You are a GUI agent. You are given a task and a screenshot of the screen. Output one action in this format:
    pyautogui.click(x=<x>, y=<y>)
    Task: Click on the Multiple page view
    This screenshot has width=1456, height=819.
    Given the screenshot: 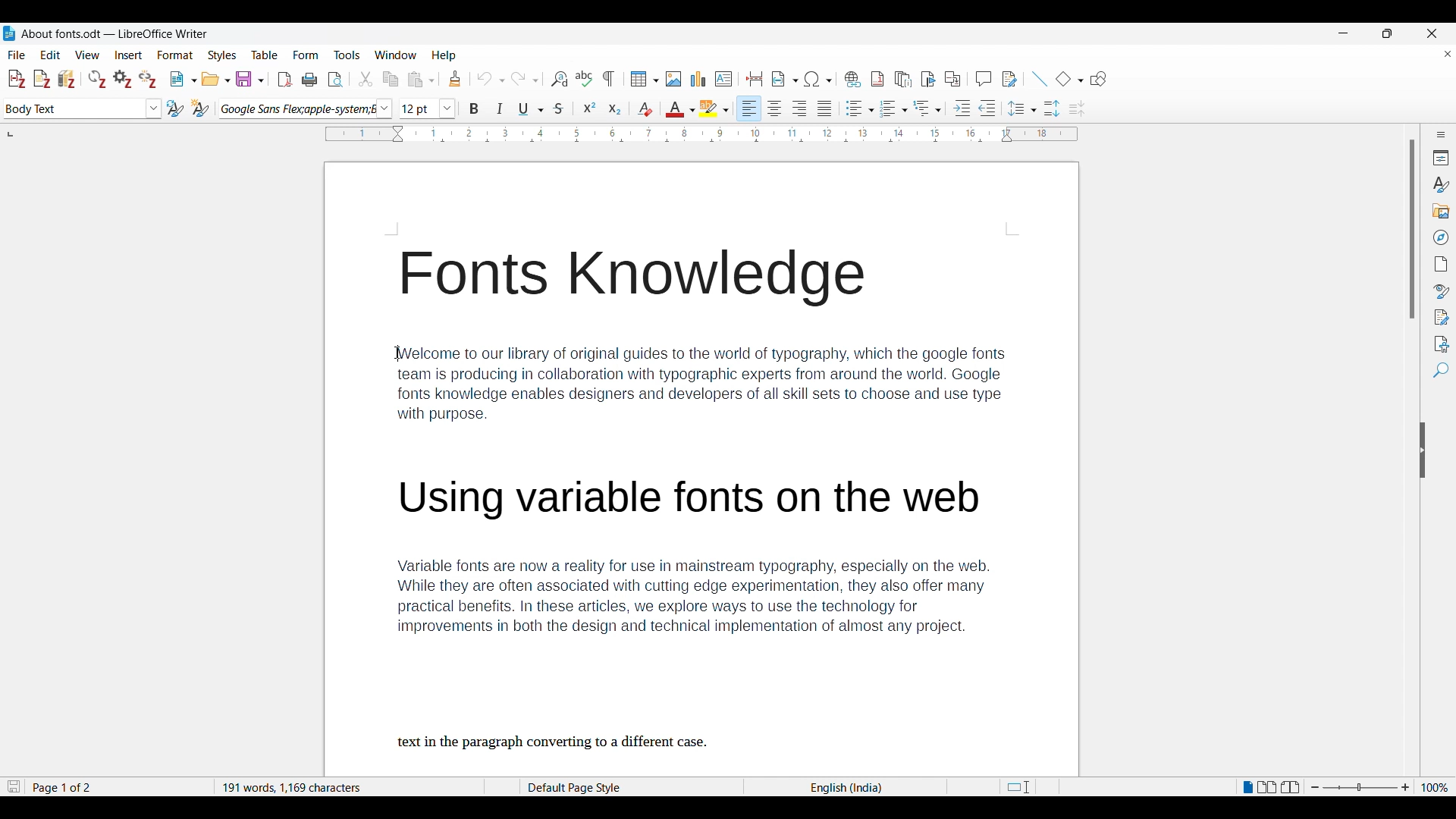 What is the action you would take?
    pyautogui.click(x=1268, y=787)
    